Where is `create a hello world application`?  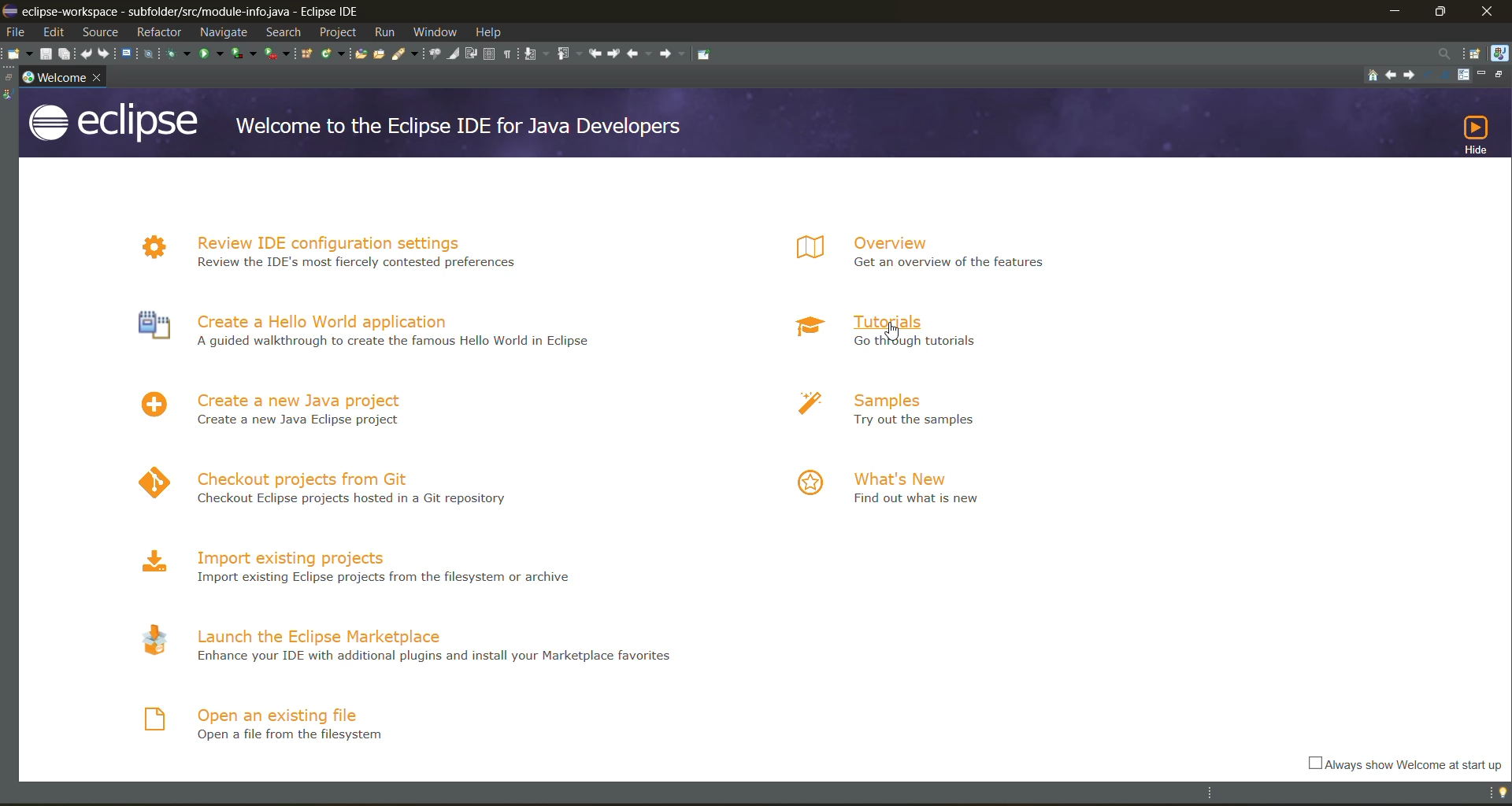 create a hello world application is located at coordinates (378, 334).